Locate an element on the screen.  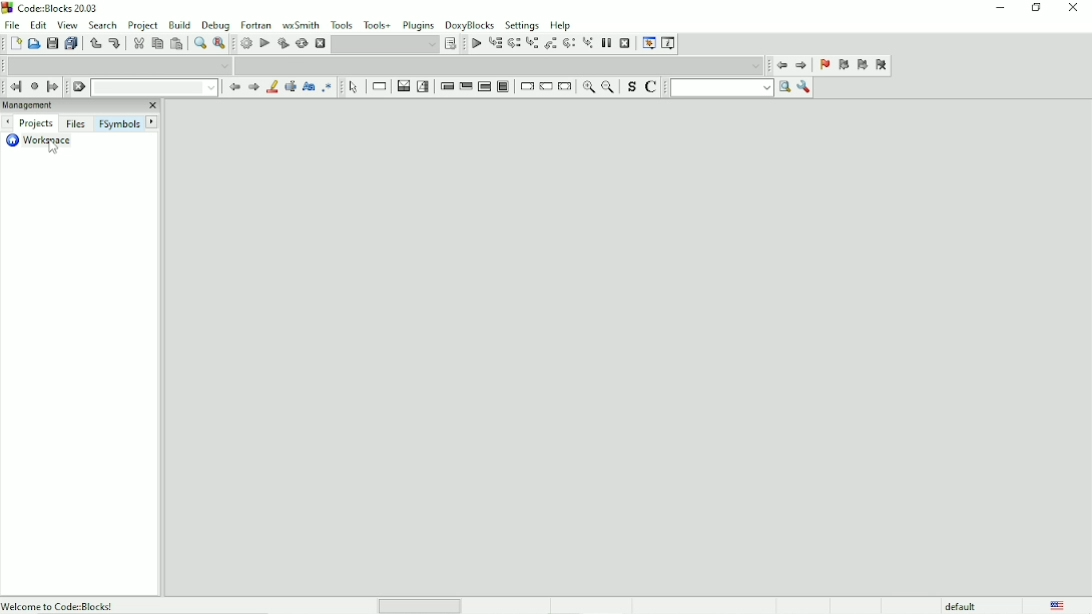
Build is located at coordinates (245, 44).